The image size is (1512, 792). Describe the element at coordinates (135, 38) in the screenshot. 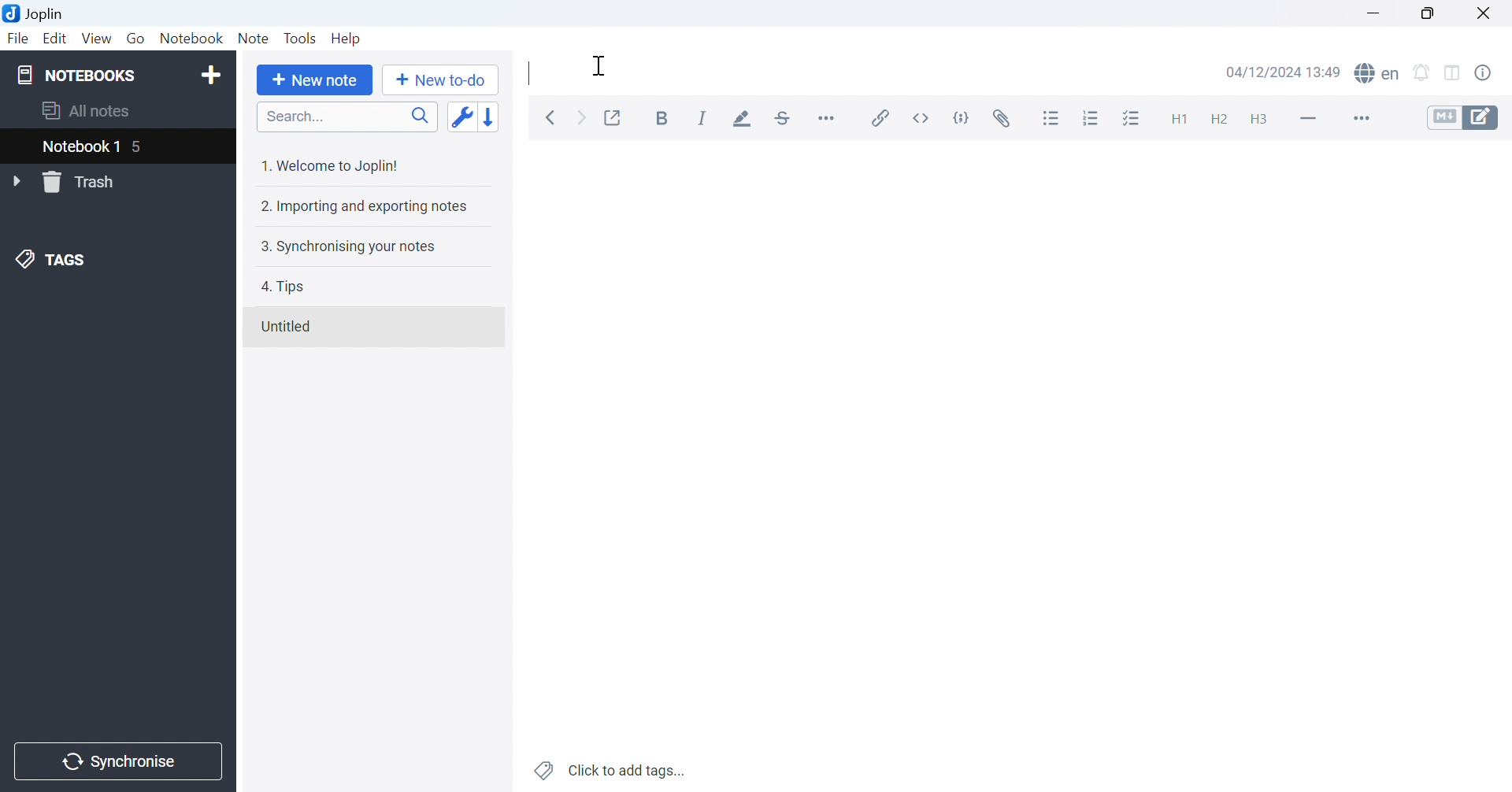

I see `Go` at that location.